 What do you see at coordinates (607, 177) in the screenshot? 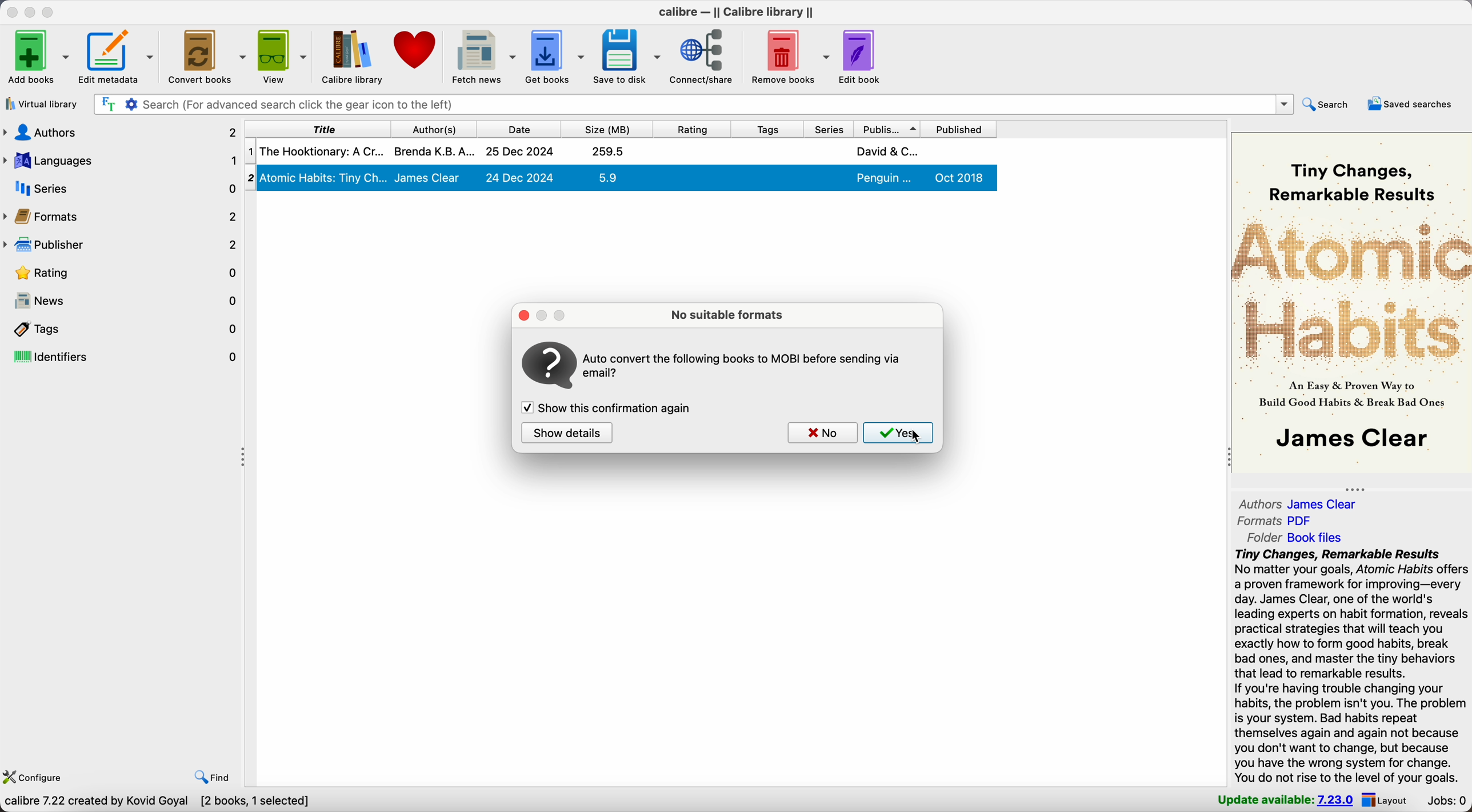
I see `5.9` at bounding box center [607, 177].